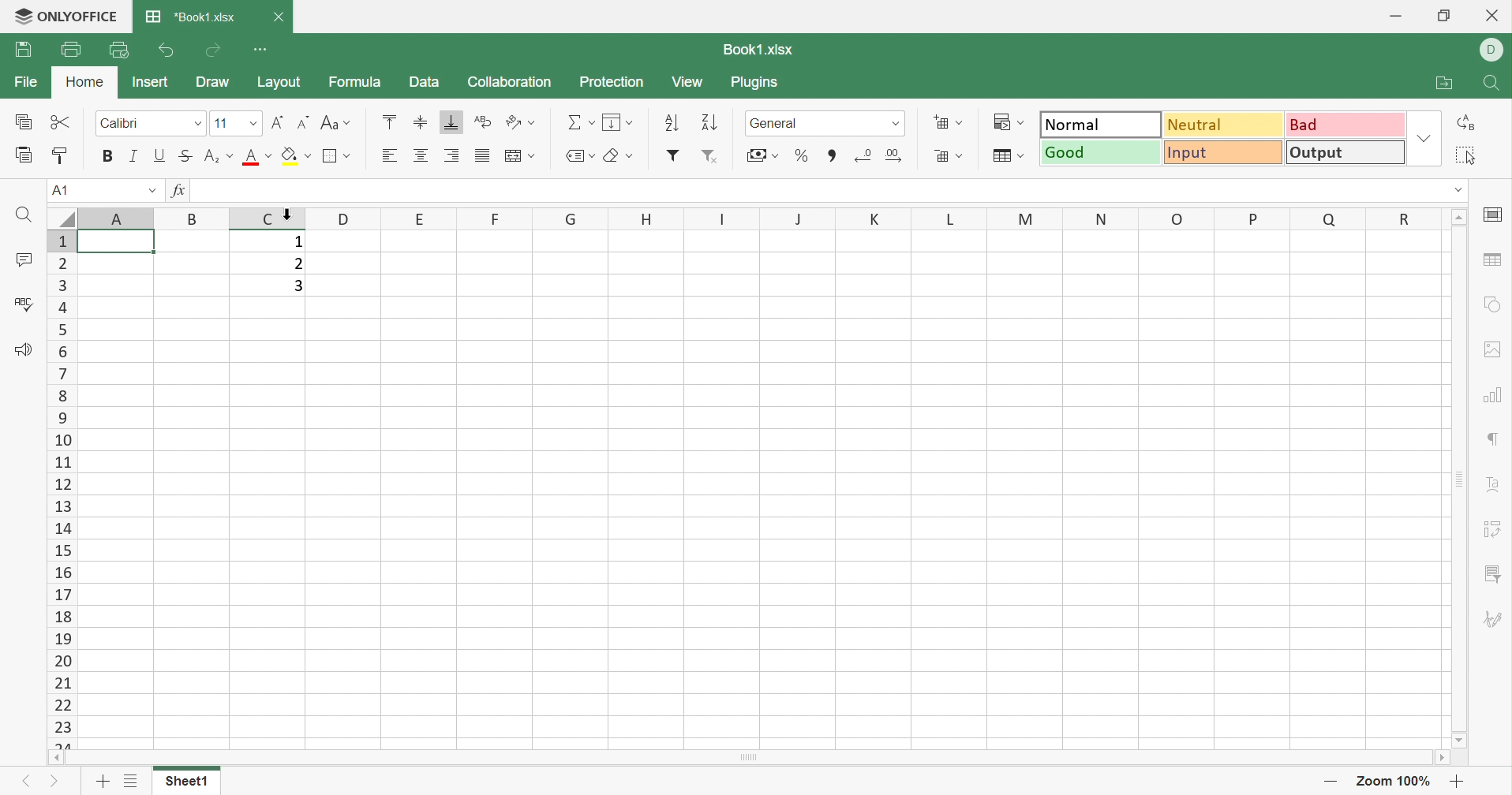  I want to click on Decrement font size, so click(304, 121).